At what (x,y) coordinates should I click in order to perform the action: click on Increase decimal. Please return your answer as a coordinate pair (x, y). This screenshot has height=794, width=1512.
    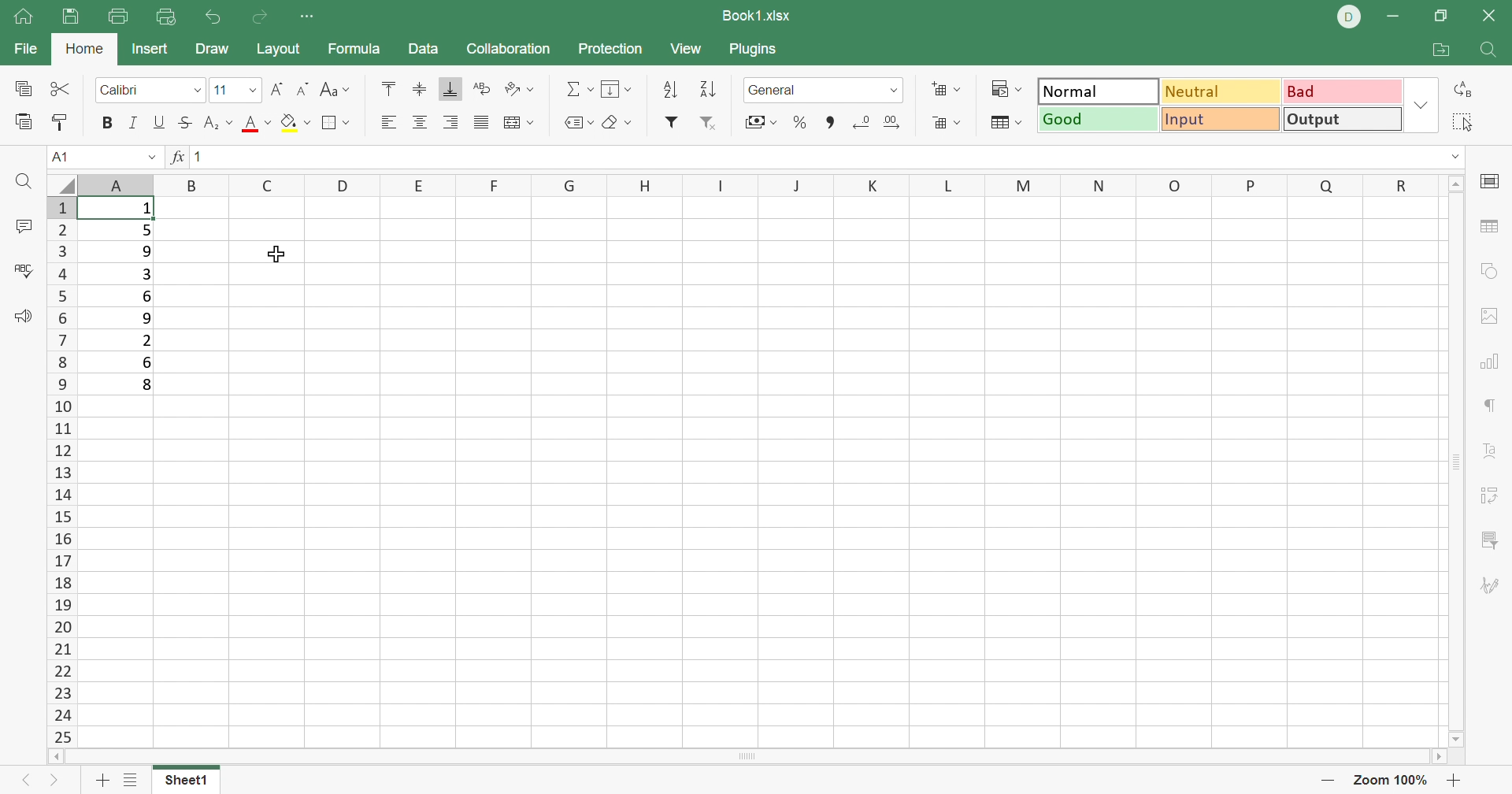
    Looking at the image, I should click on (899, 123).